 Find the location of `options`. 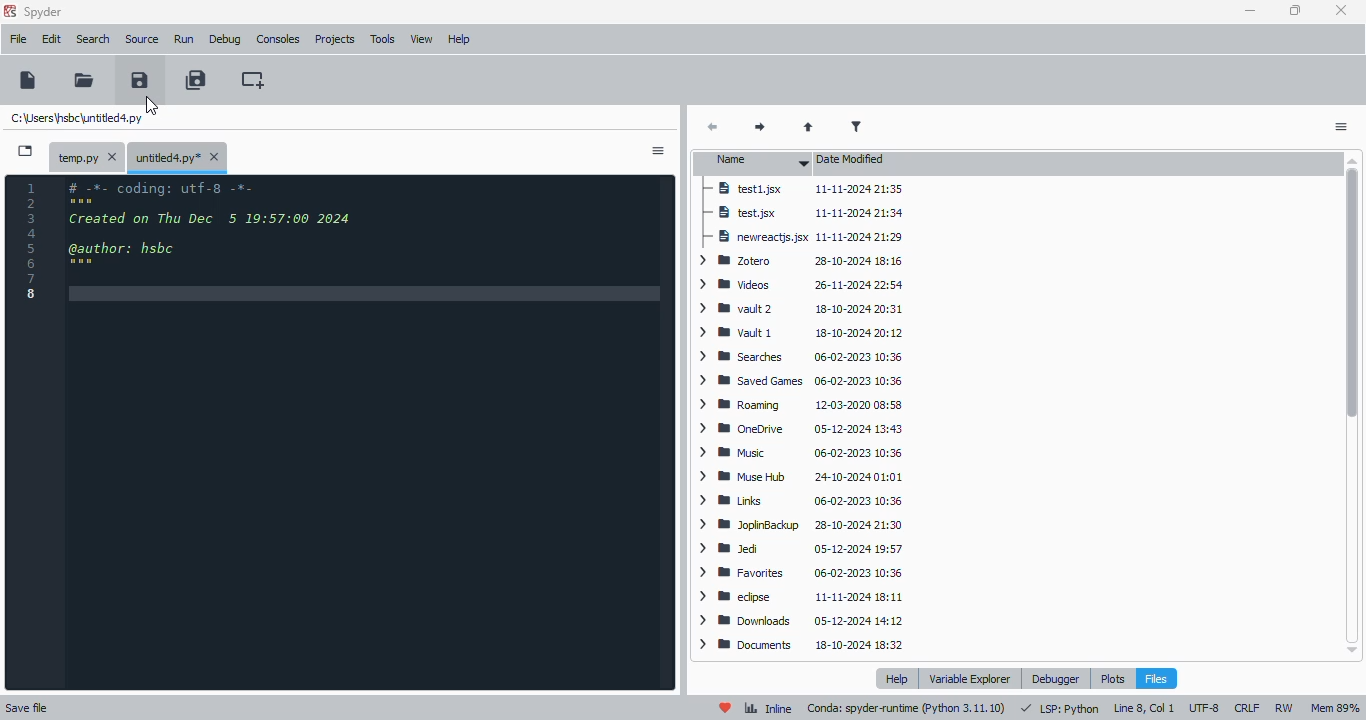

options is located at coordinates (1341, 127).